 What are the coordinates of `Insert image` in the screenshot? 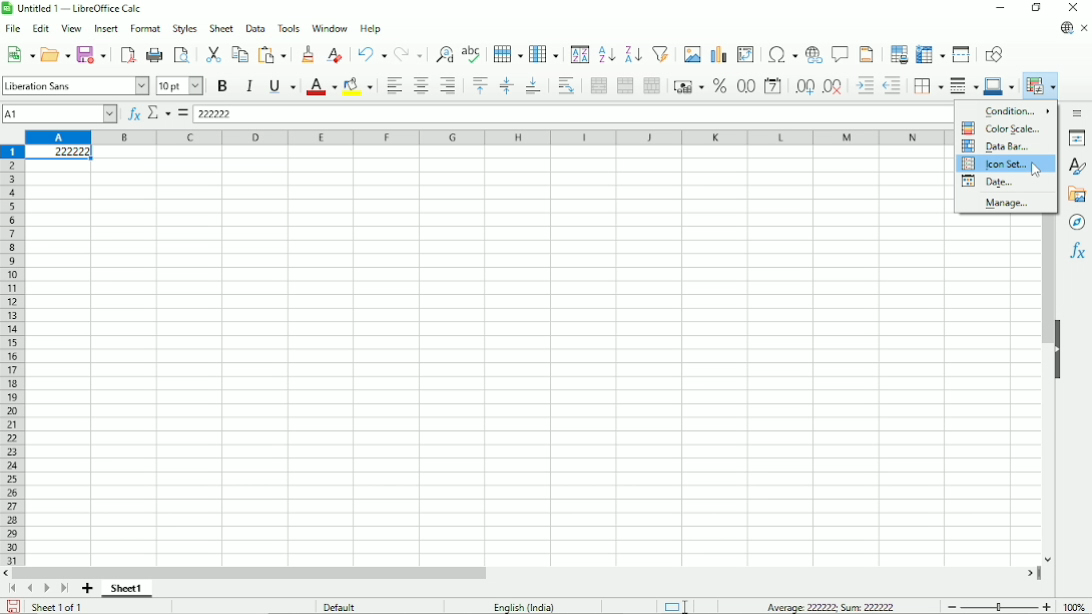 It's located at (693, 52).